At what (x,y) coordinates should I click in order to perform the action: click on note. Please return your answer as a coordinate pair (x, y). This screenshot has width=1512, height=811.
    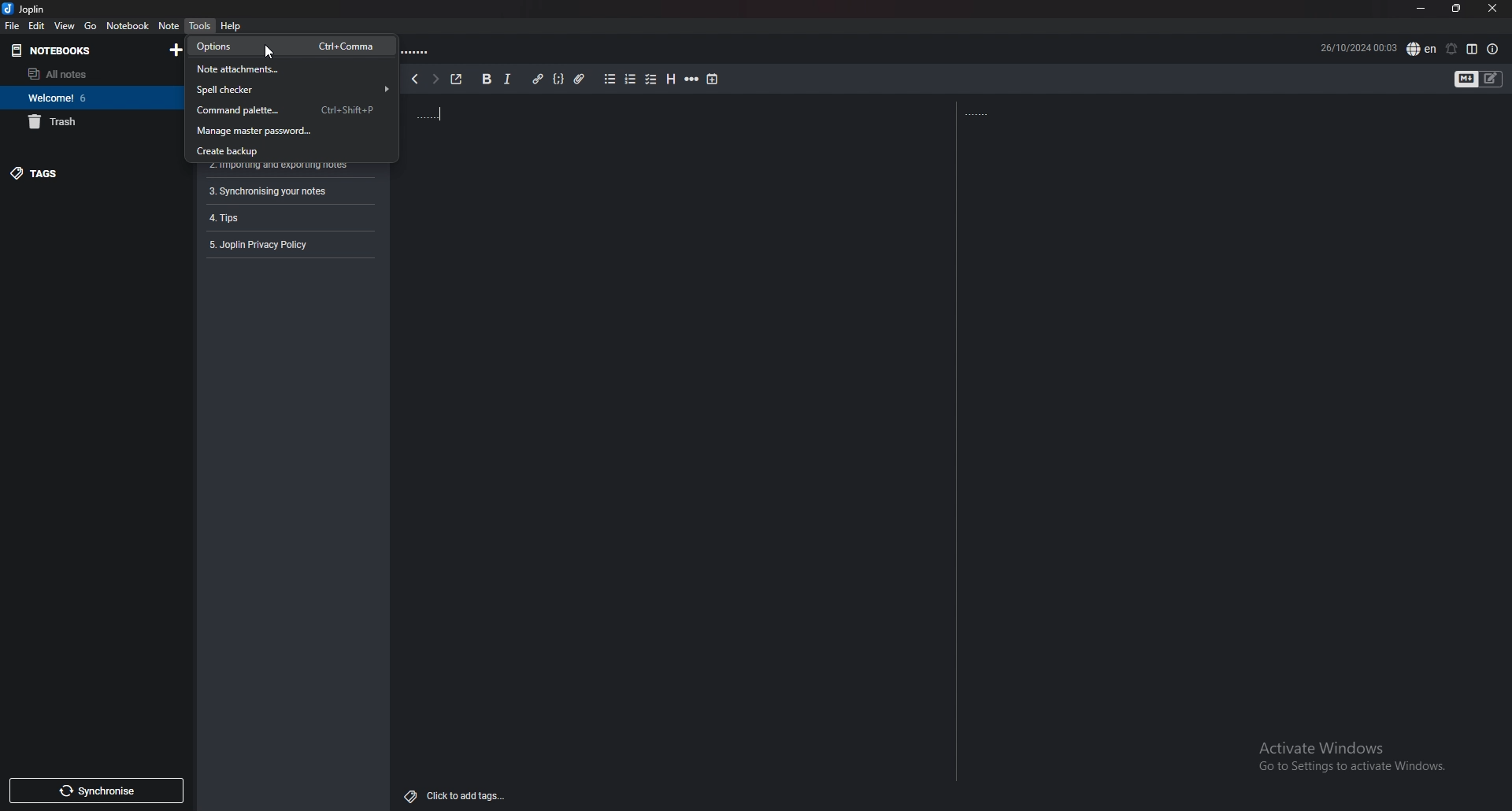
    Looking at the image, I should click on (169, 25).